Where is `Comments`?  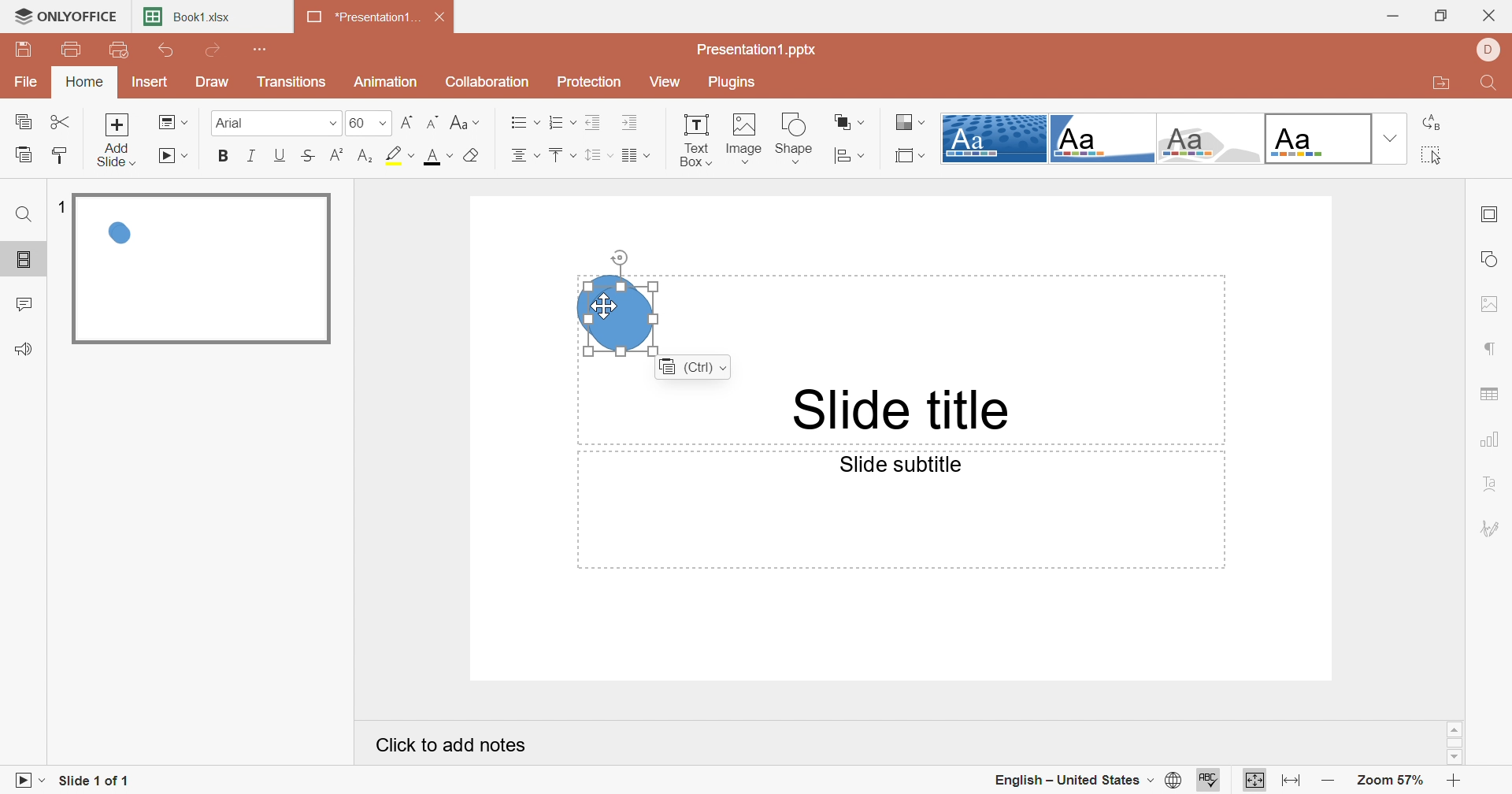
Comments is located at coordinates (24, 306).